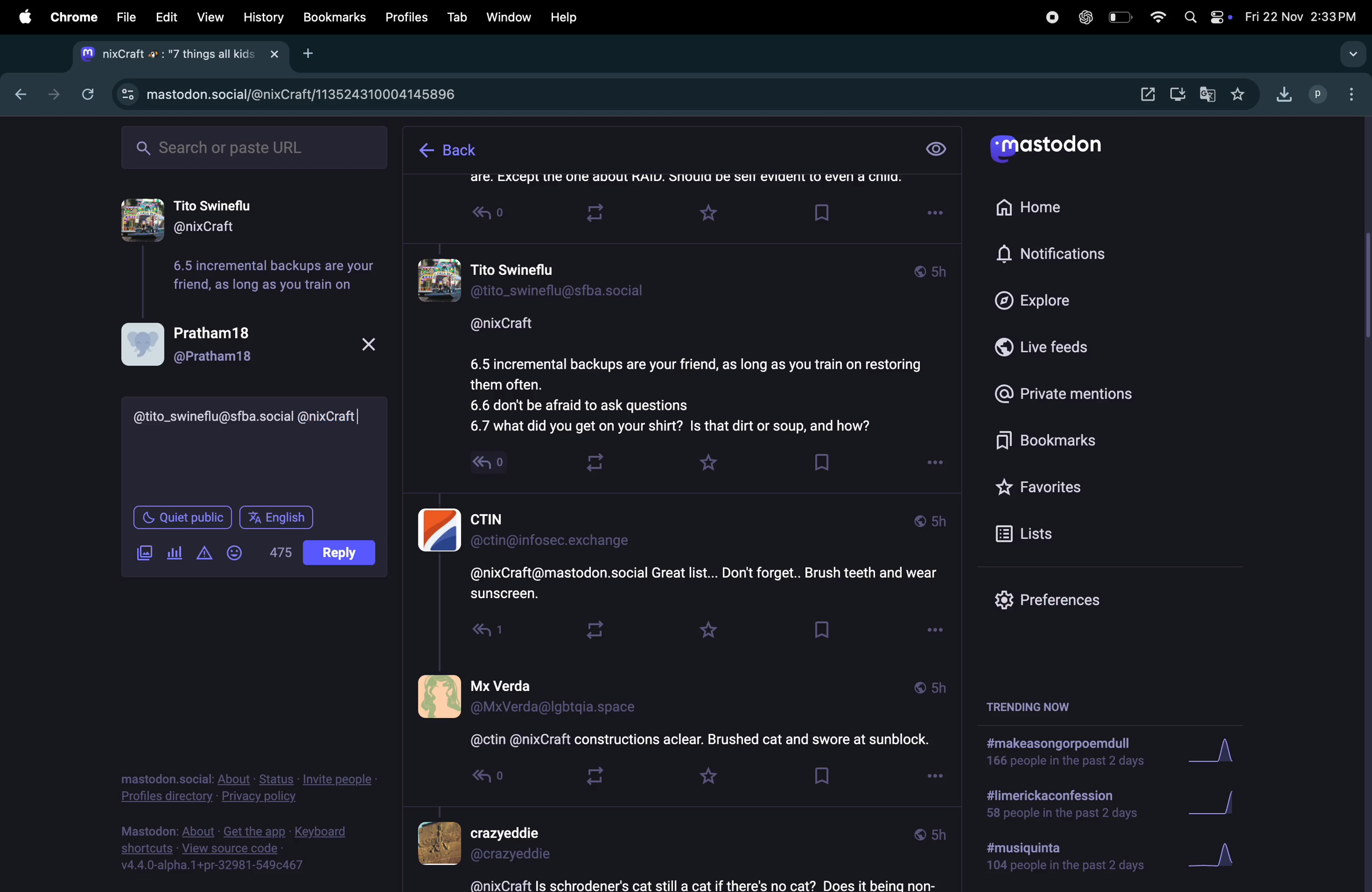 The image size is (1372, 892). What do you see at coordinates (272, 277) in the screenshot?
I see `6.5 incremental backups are your
friend, as long as you train on` at bounding box center [272, 277].